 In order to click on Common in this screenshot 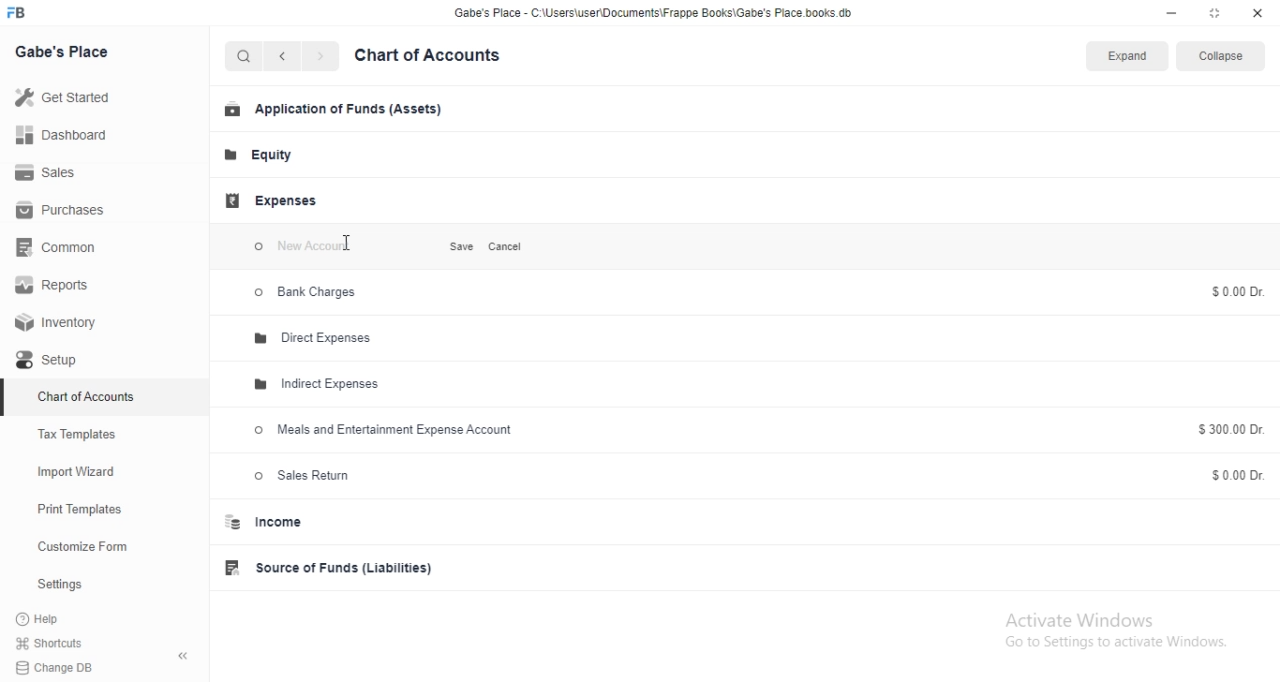, I will do `click(62, 250)`.